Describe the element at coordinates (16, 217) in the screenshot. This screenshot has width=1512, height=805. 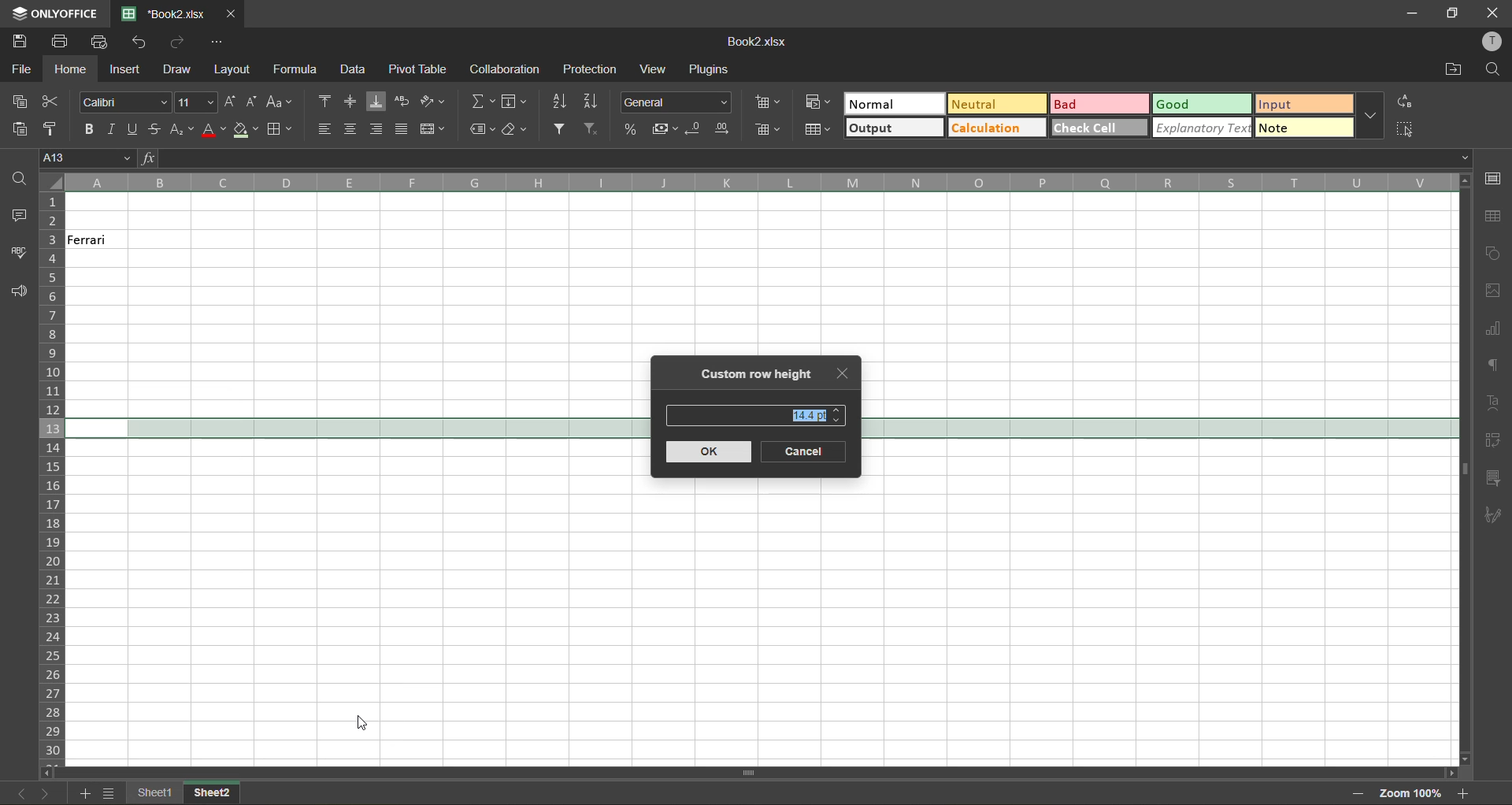
I see `comments` at that location.